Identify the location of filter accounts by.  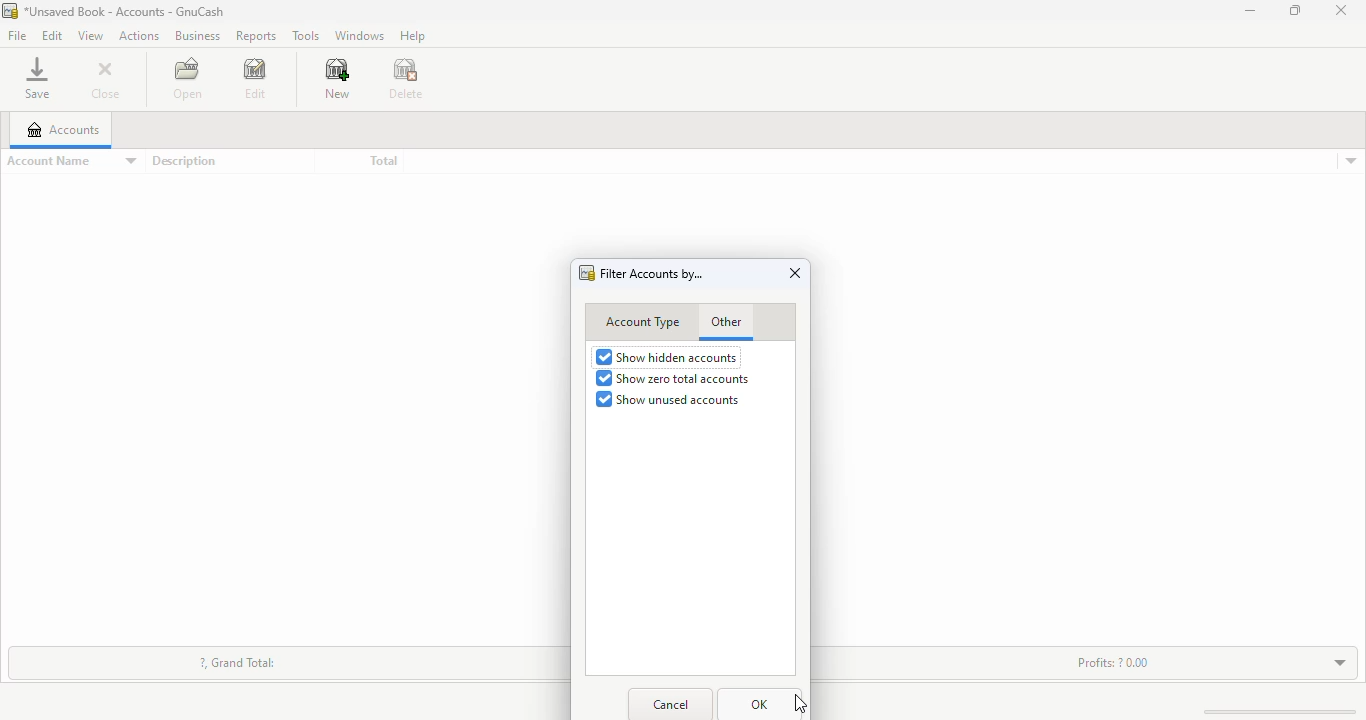
(652, 274).